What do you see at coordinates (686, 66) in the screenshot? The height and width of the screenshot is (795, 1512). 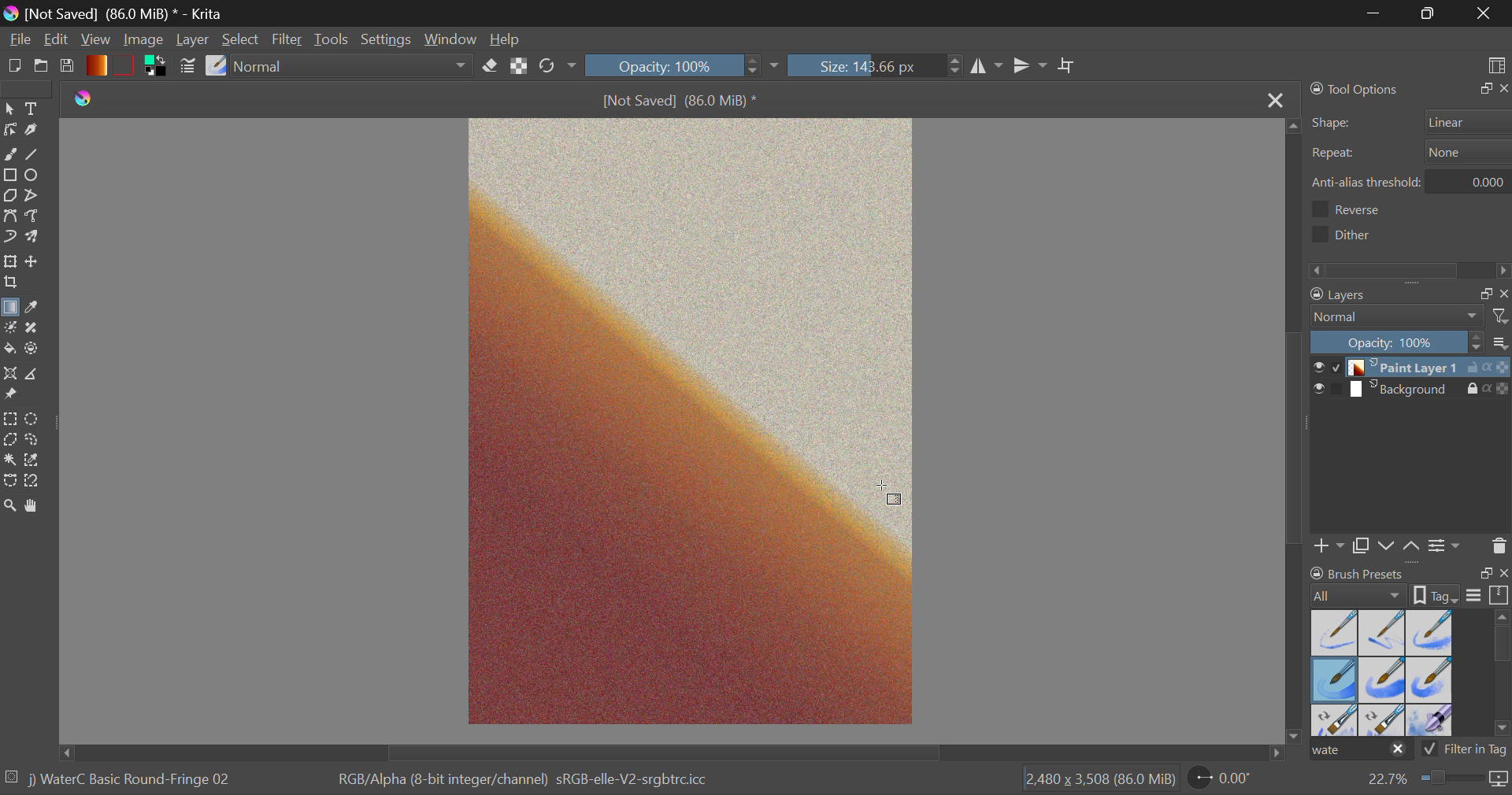 I see `Opacity` at bounding box center [686, 66].